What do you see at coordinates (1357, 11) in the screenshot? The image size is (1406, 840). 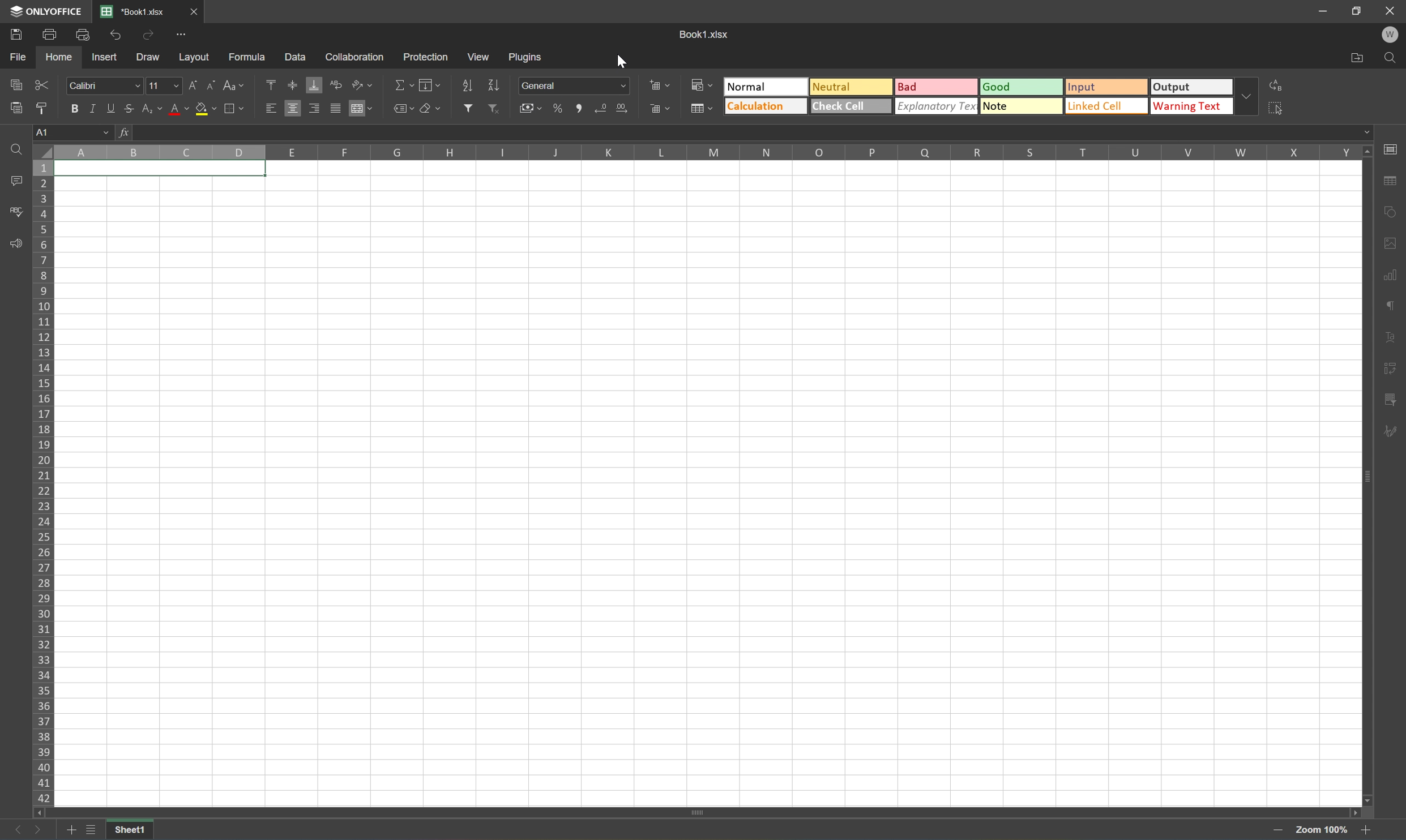 I see `Restore down` at bounding box center [1357, 11].